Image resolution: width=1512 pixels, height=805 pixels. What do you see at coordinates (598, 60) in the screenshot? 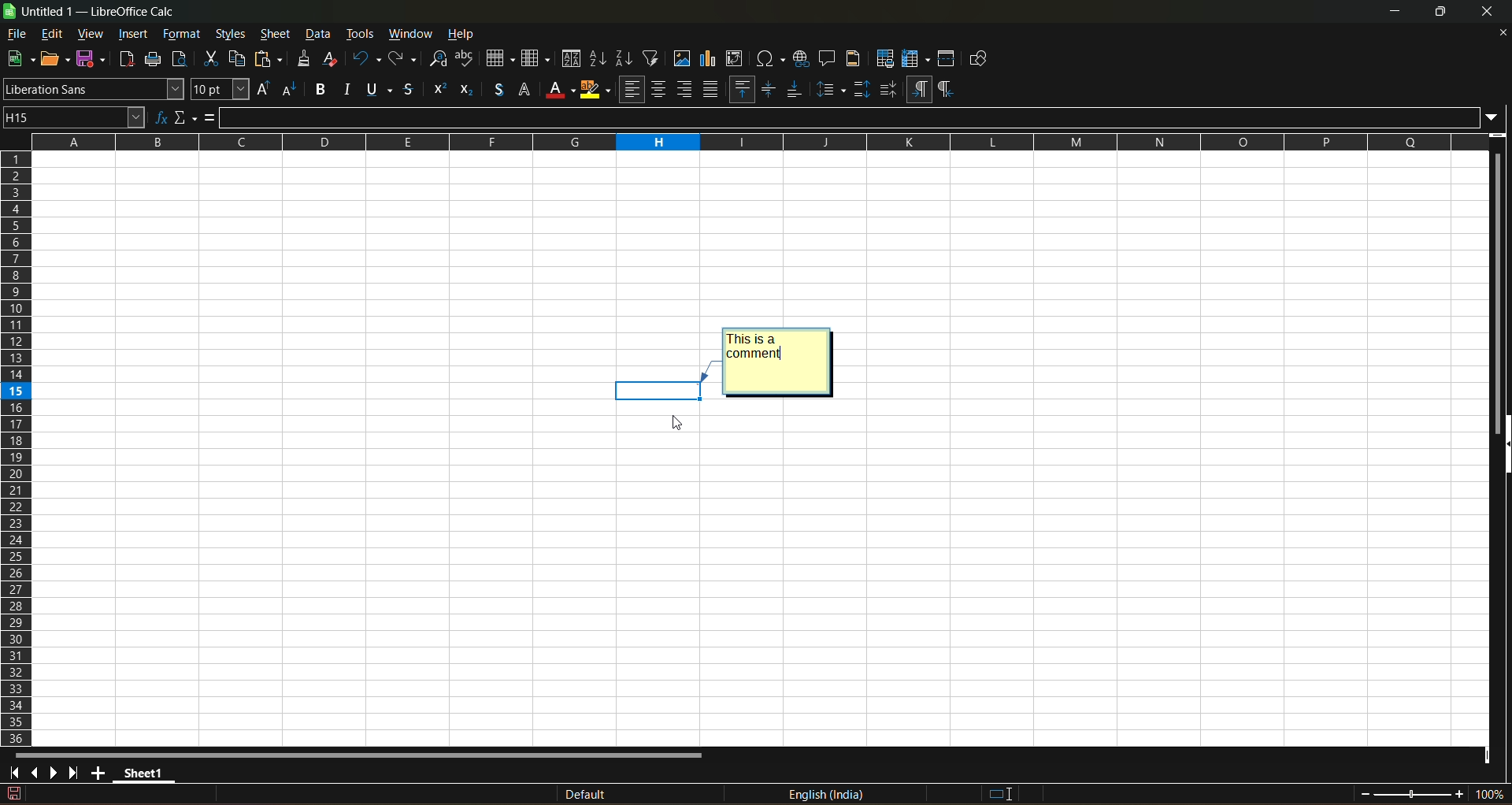
I see `sort ascending` at bounding box center [598, 60].